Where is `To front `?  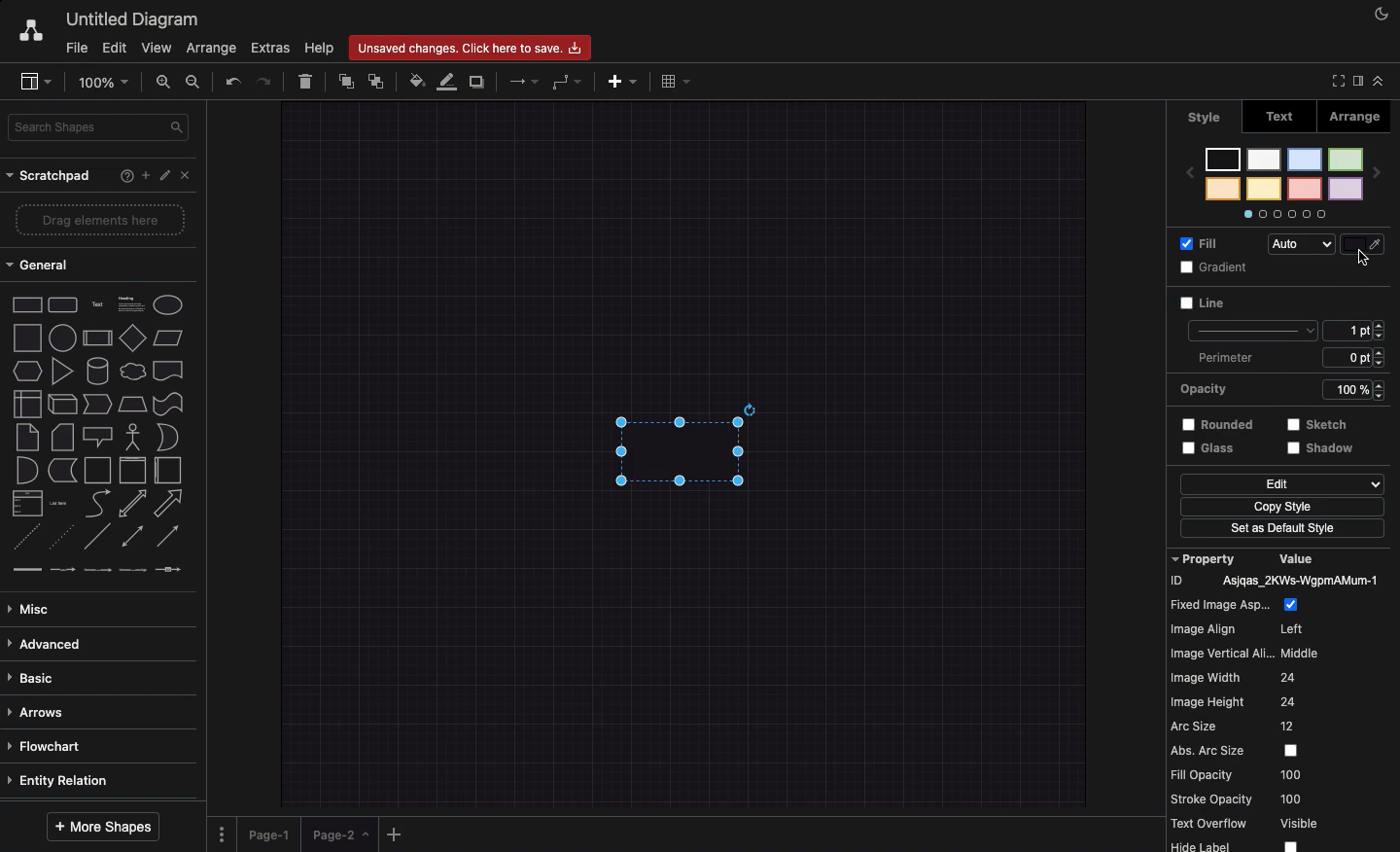 To front  is located at coordinates (345, 79).